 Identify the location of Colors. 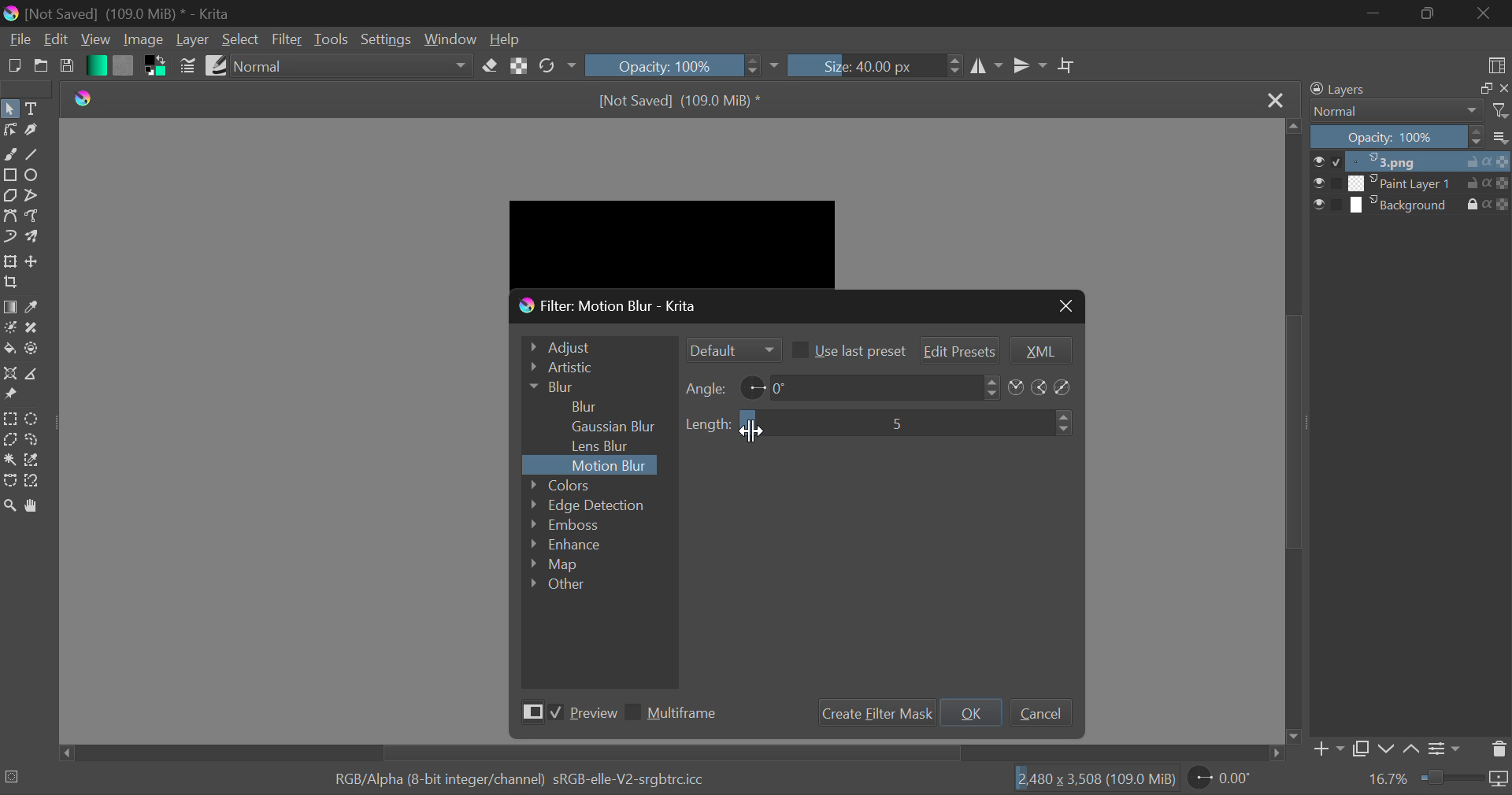
(582, 484).